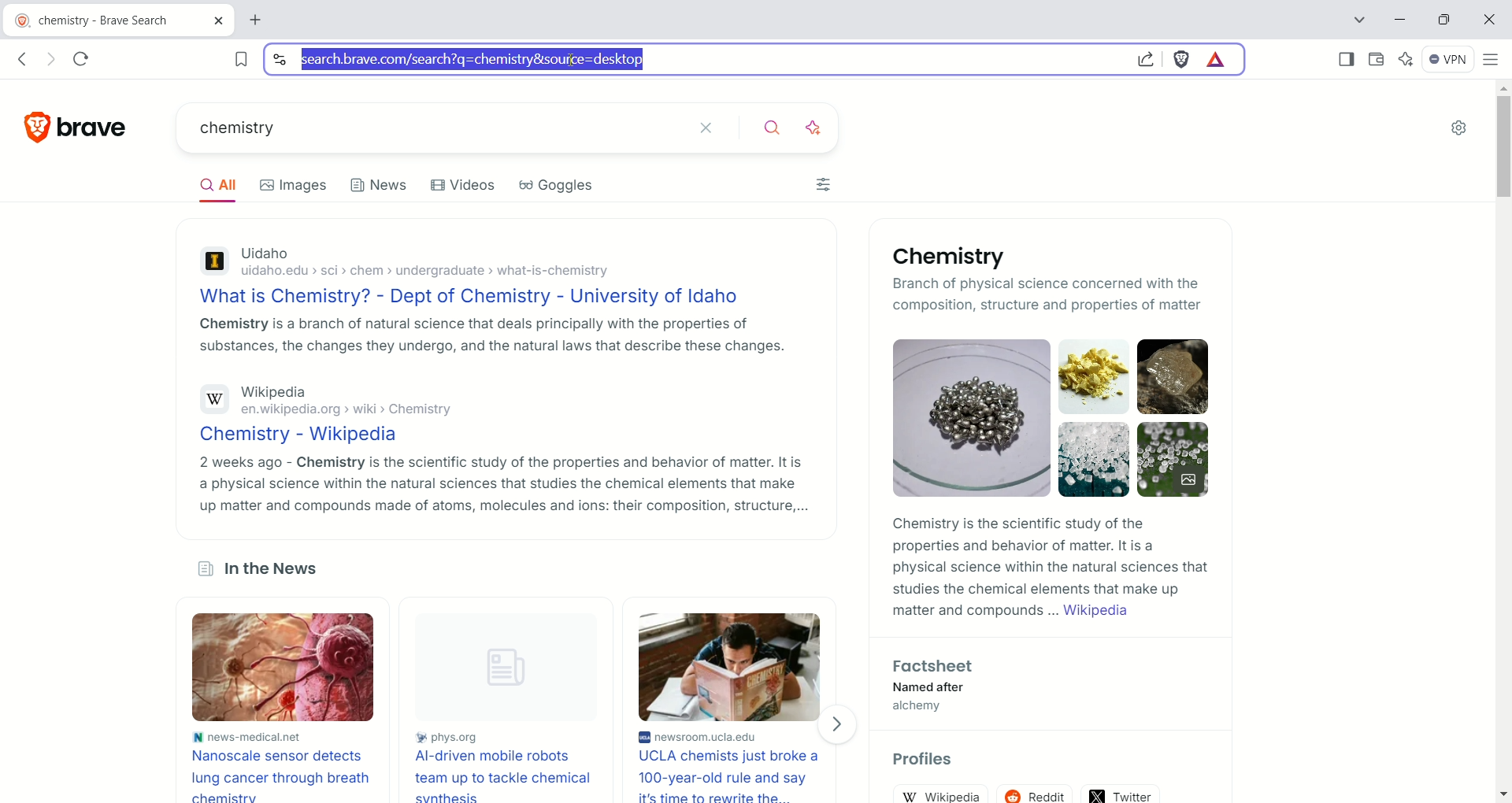 This screenshot has height=803, width=1512. What do you see at coordinates (102, 128) in the screenshot?
I see `brave` at bounding box center [102, 128].